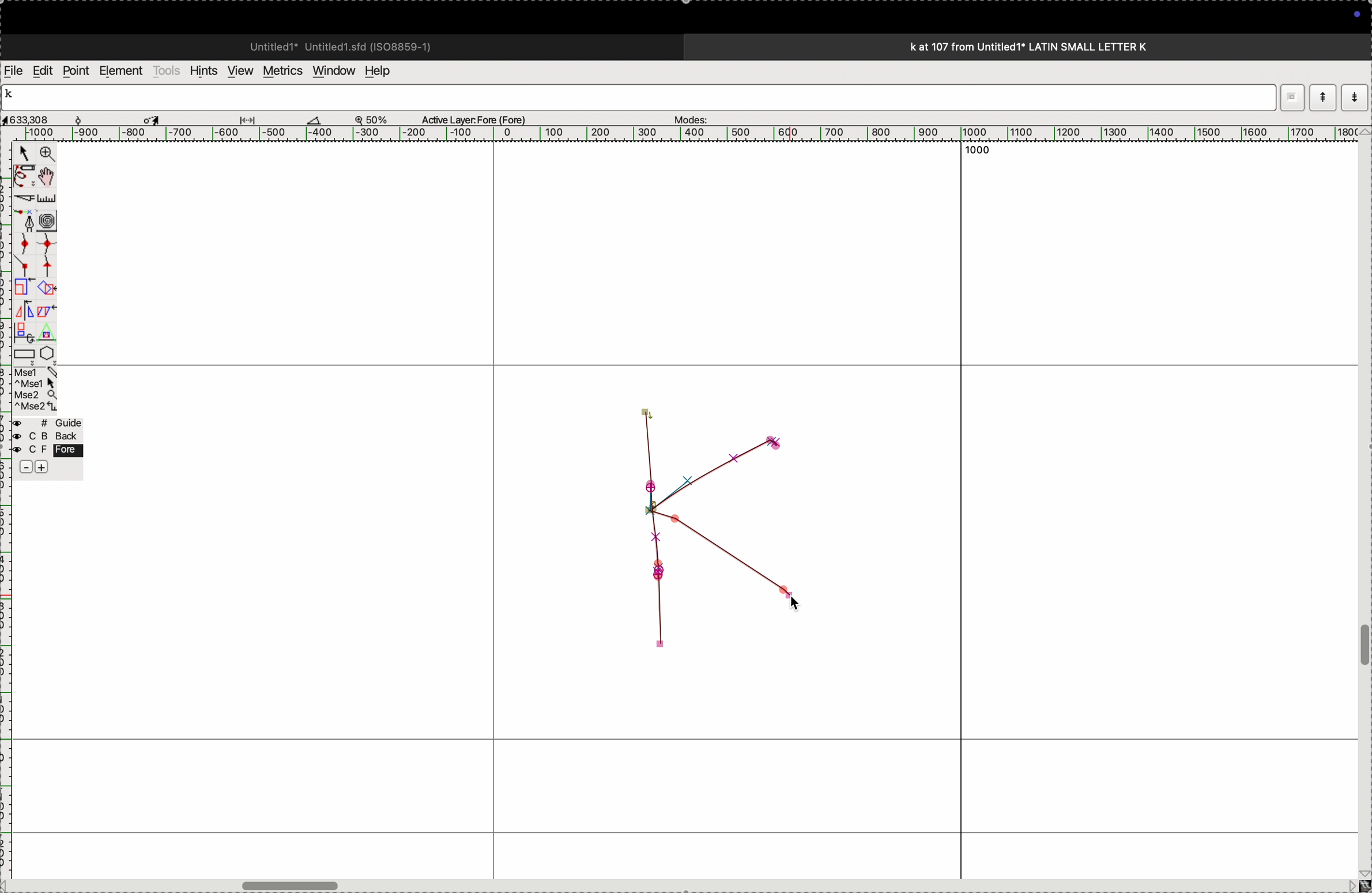 This screenshot has height=893, width=1372. Describe the element at coordinates (42, 70) in the screenshot. I see `edit` at that location.